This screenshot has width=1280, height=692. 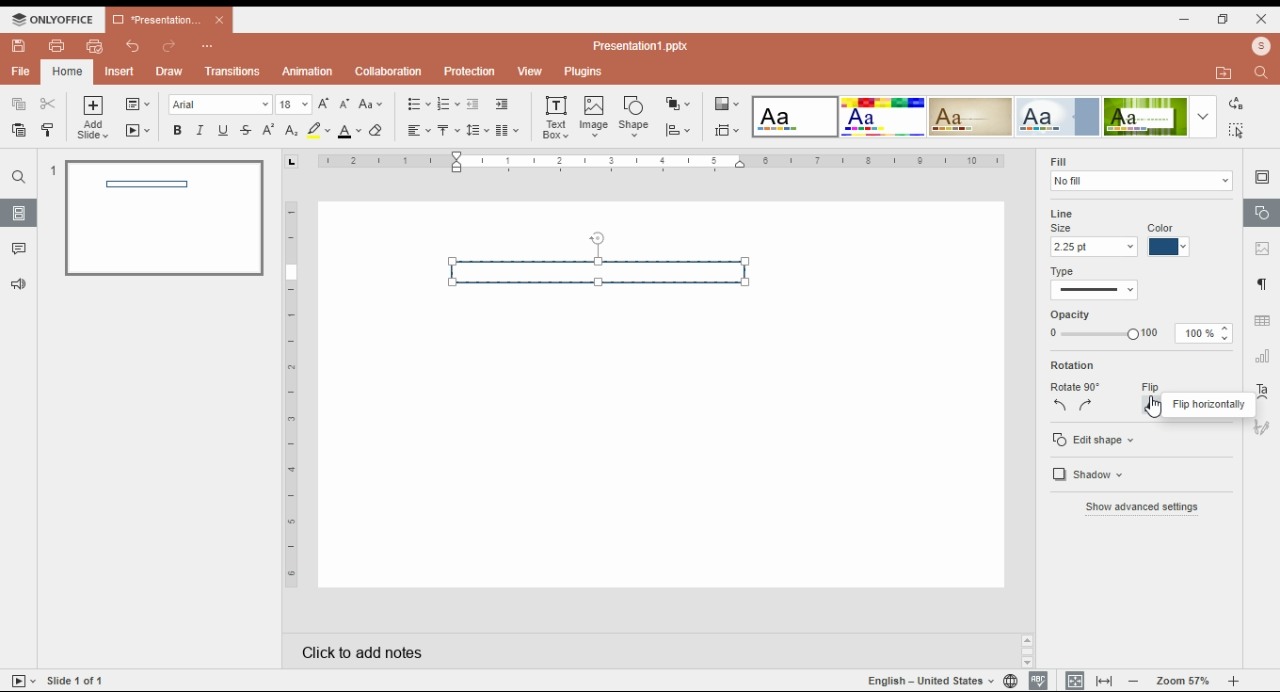 What do you see at coordinates (448, 131) in the screenshot?
I see `vertical alignment` at bounding box center [448, 131].